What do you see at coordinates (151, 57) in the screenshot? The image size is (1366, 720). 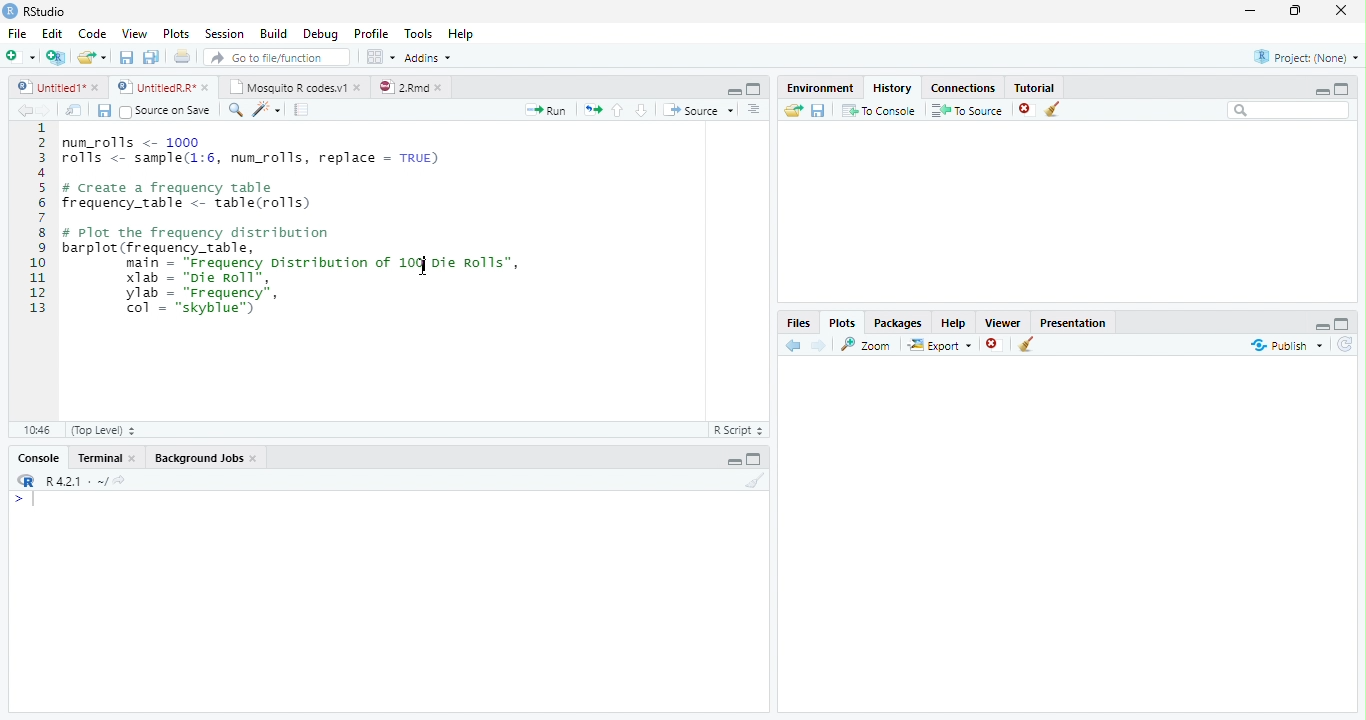 I see `Save all open files` at bounding box center [151, 57].